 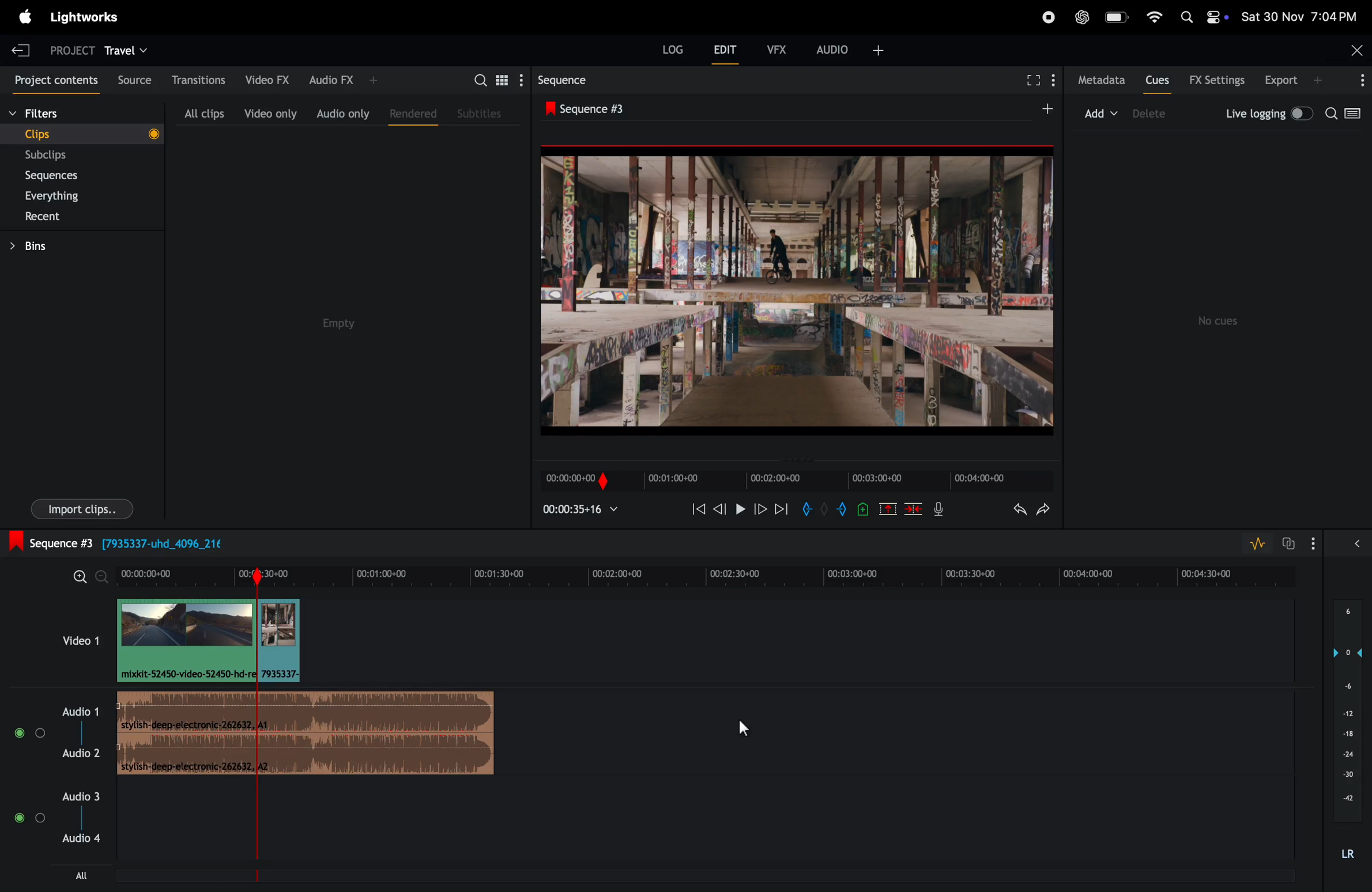 I want to click on project, so click(x=67, y=49).